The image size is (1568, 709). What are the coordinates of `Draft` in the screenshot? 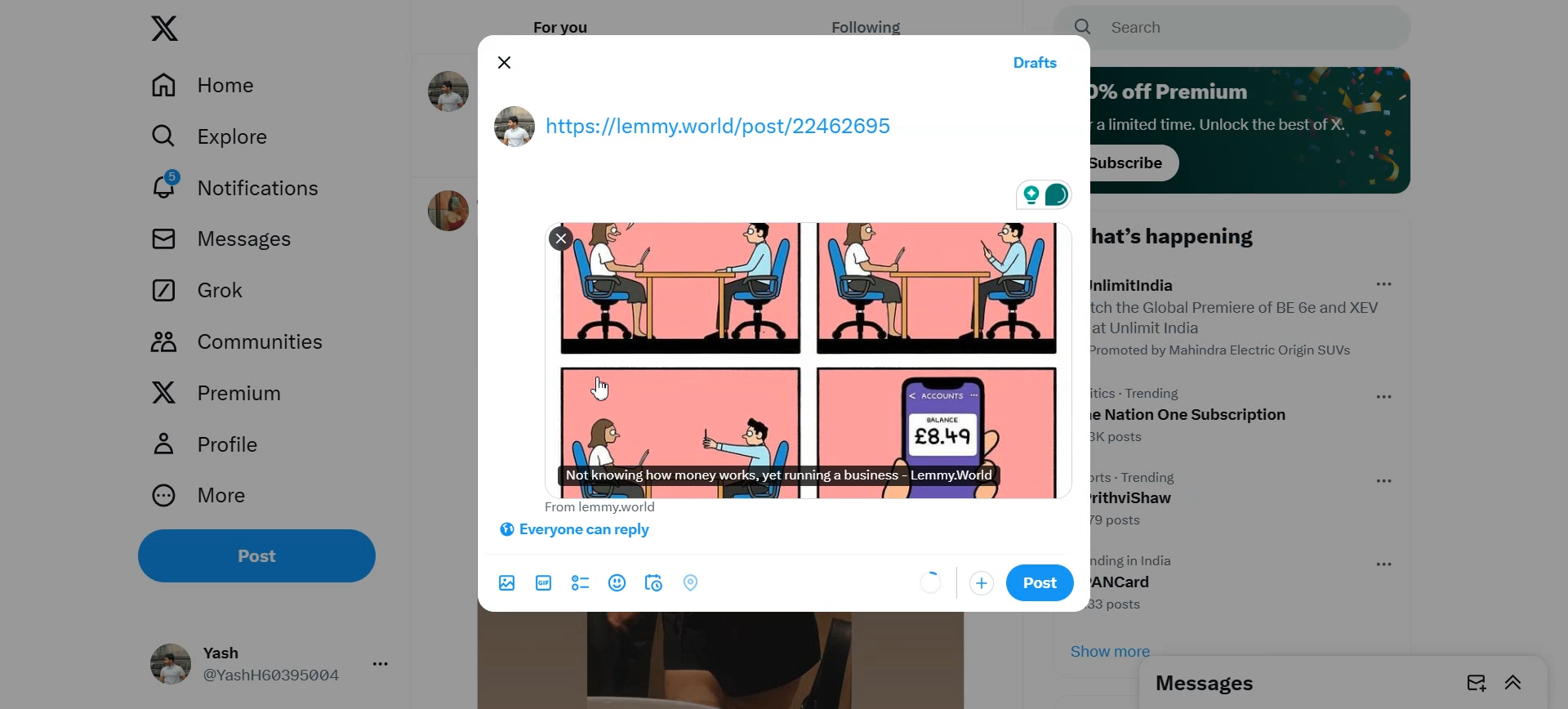 It's located at (1037, 63).